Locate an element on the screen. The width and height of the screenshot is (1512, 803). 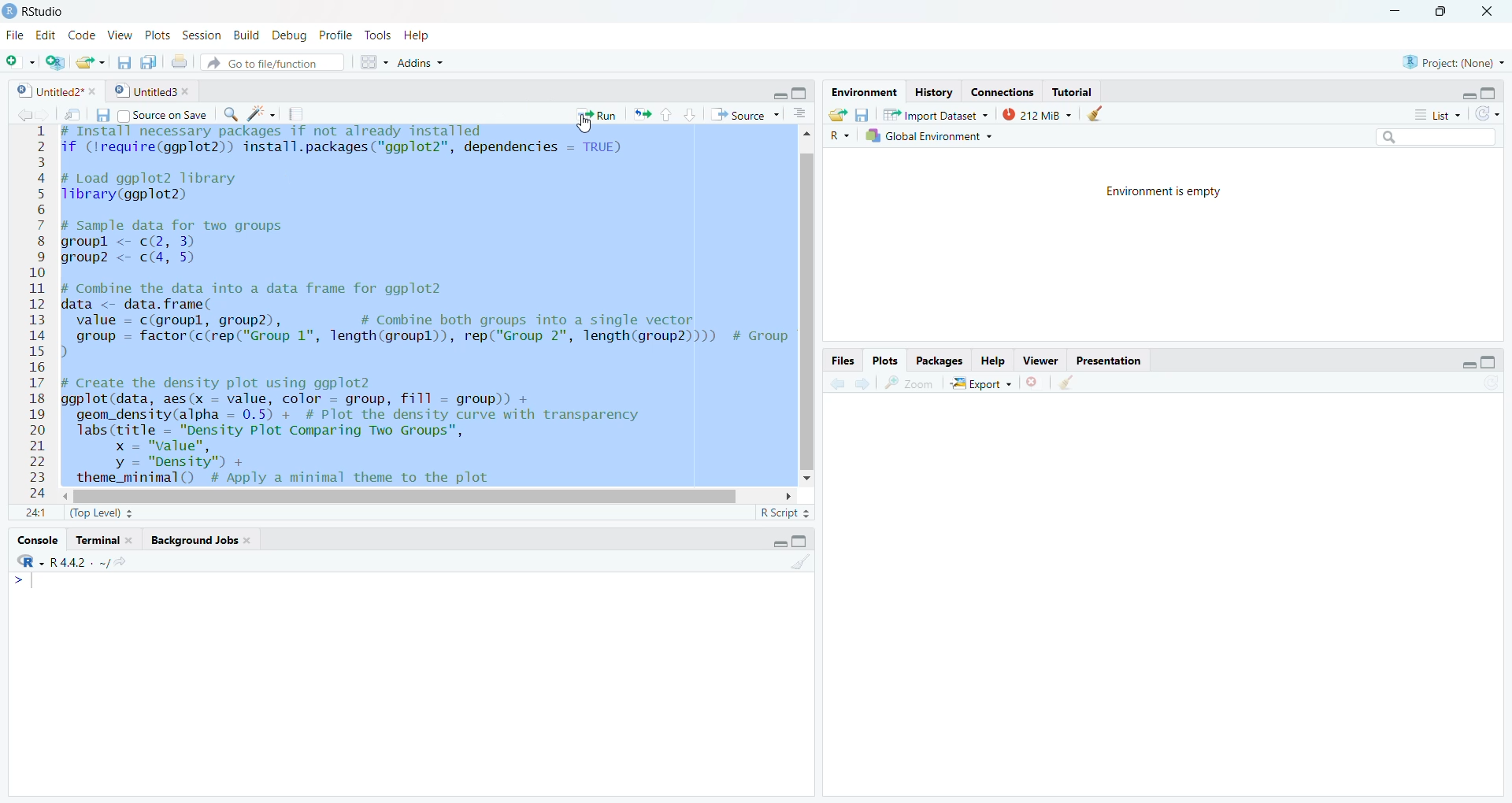
R SCRIPT is located at coordinates (782, 515).